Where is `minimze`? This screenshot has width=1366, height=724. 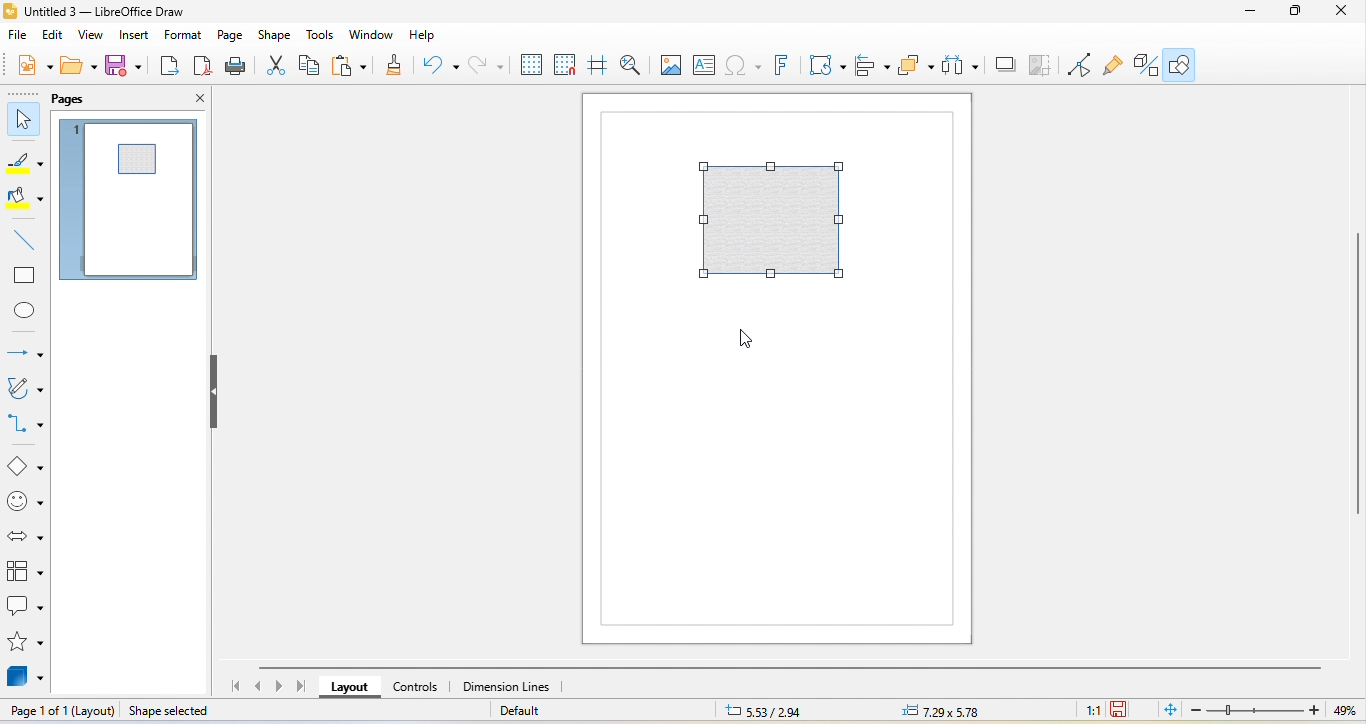 minimze is located at coordinates (1245, 14).